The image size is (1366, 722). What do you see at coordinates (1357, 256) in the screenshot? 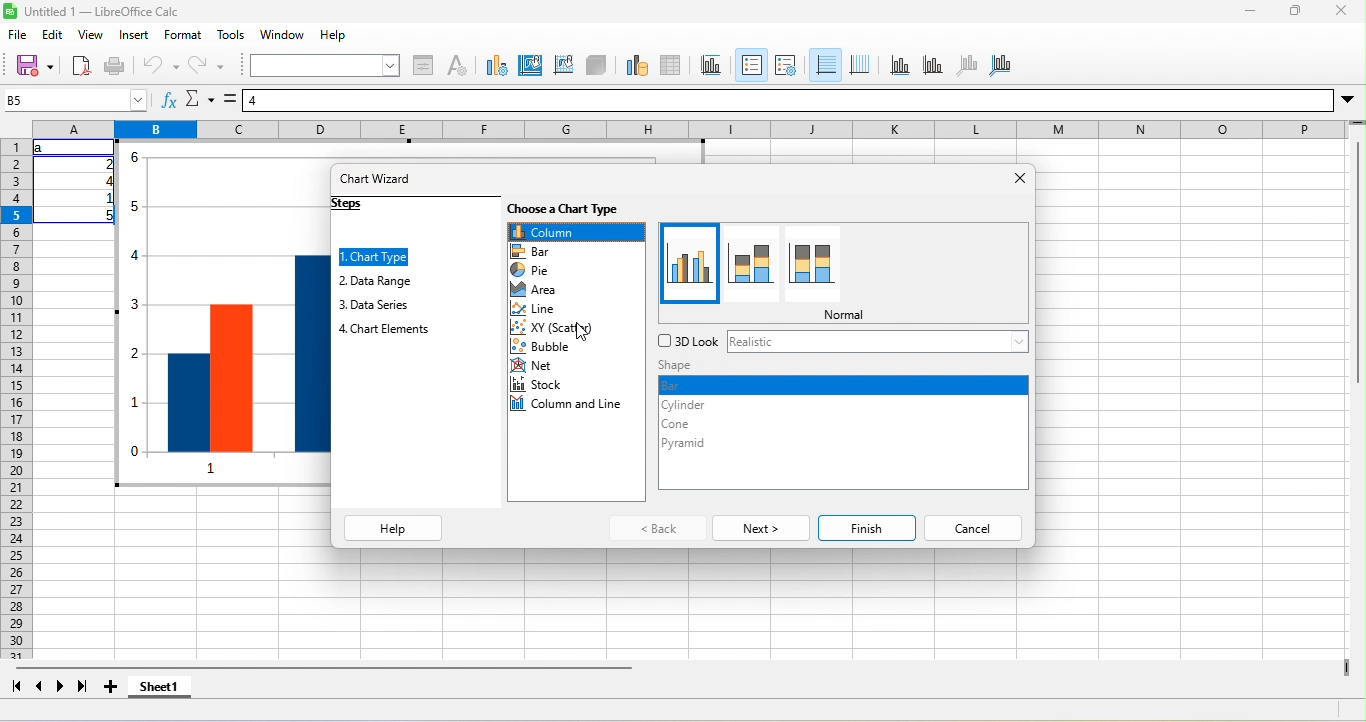
I see `vertical scroll bar` at bounding box center [1357, 256].